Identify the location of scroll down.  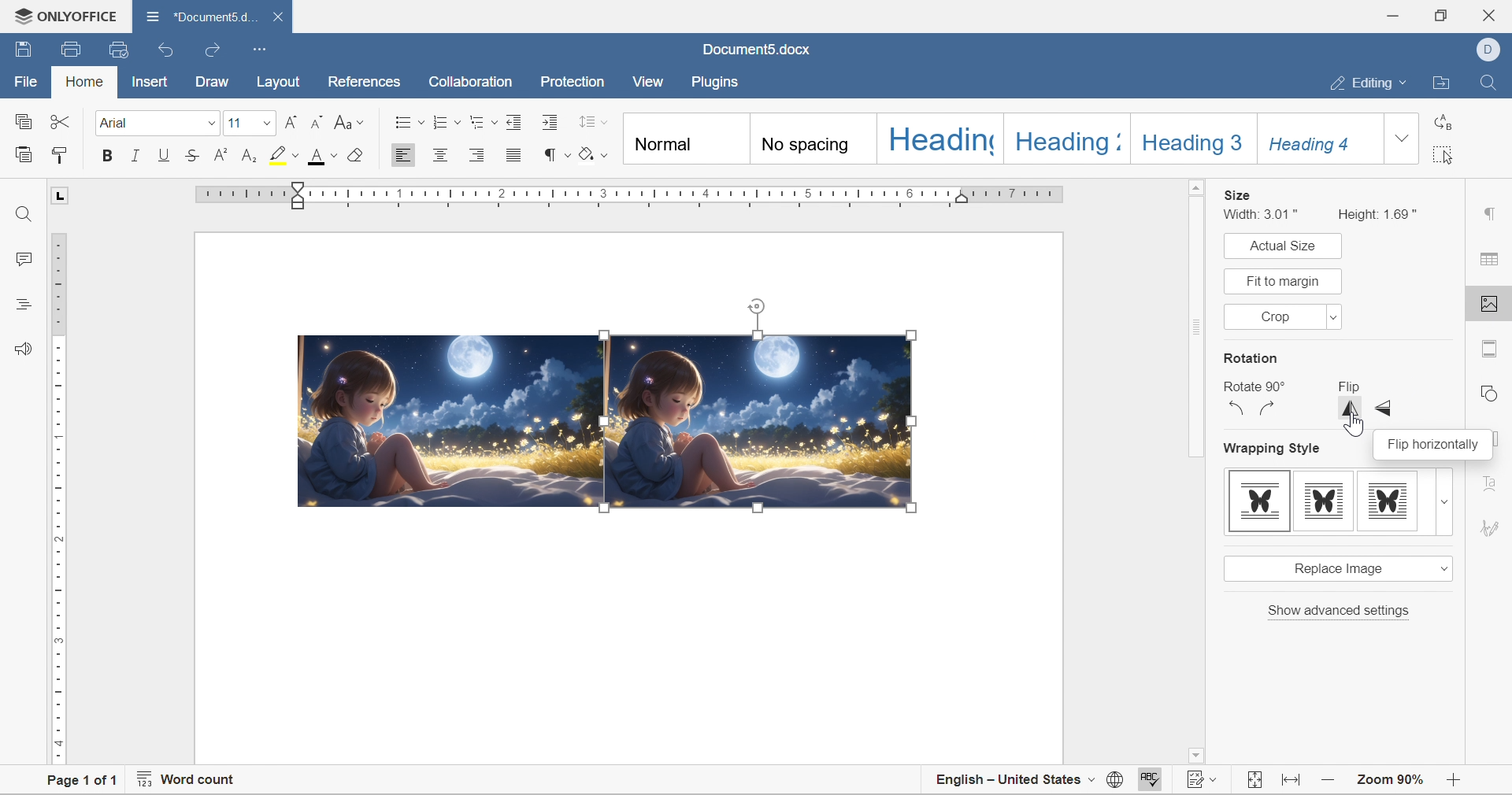
(1455, 758).